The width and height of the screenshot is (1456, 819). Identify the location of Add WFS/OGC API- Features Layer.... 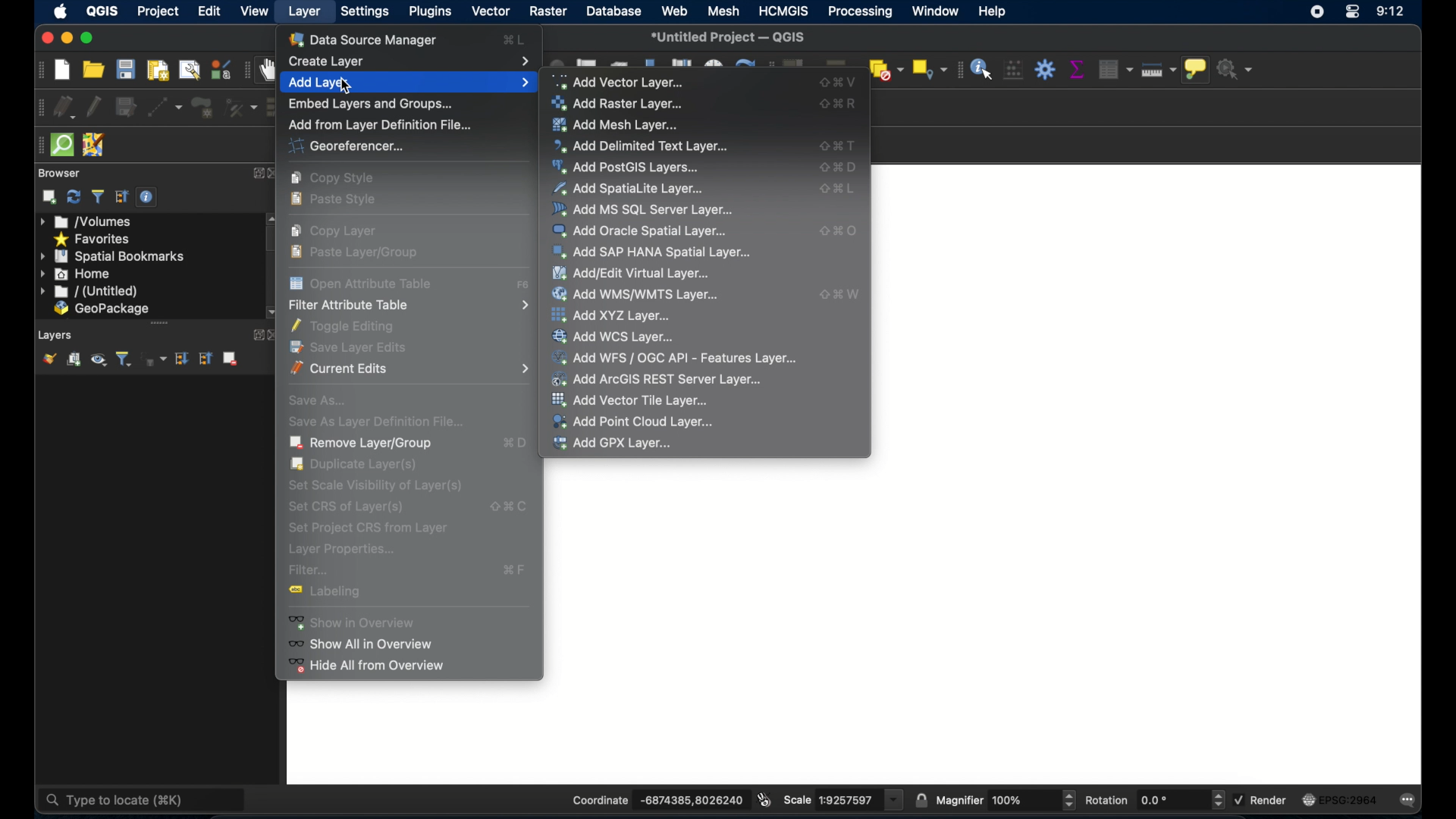
(679, 358).